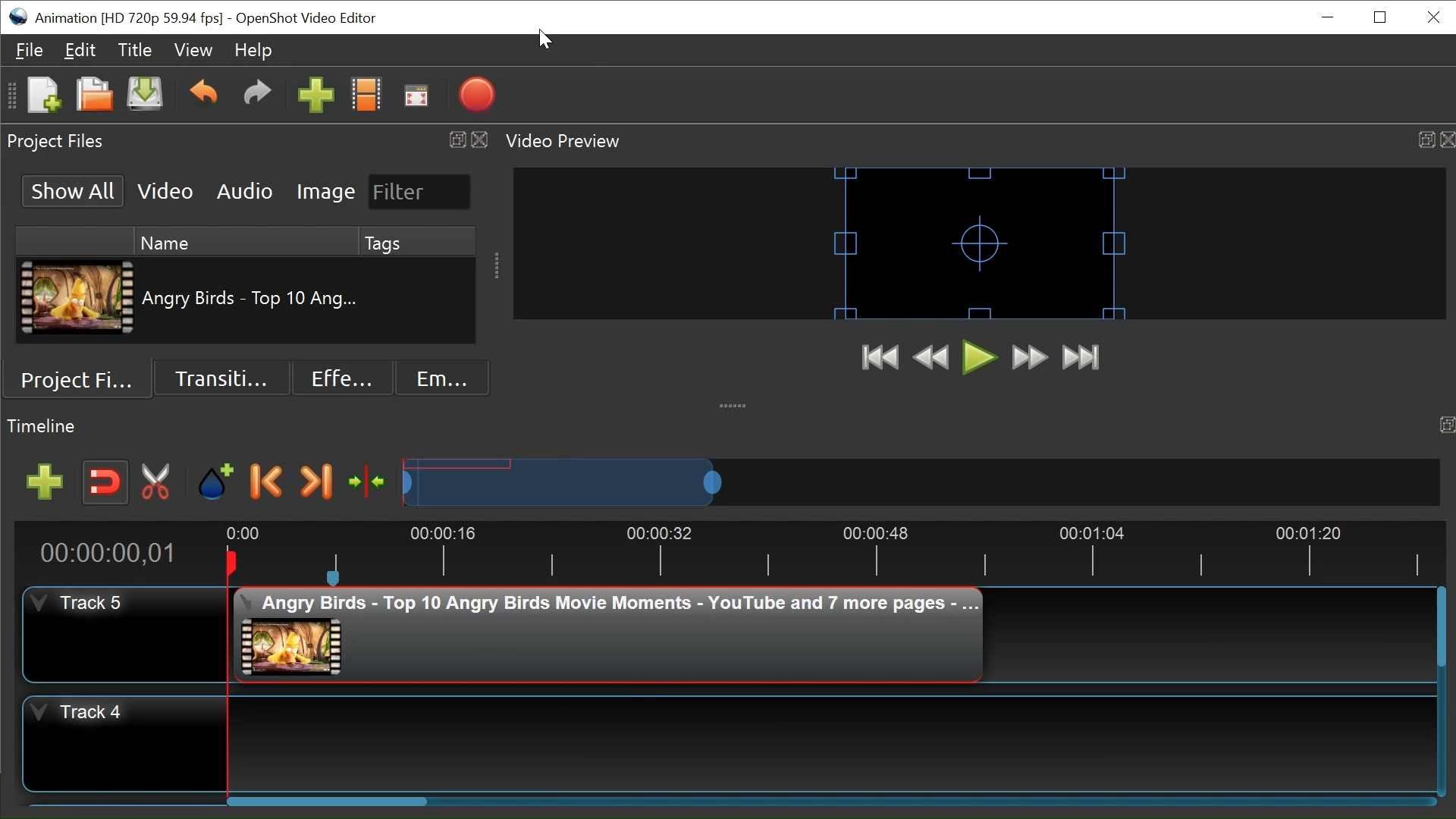 The width and height of the screenshot is (1456, 819). What do you see at coordinates (832, 554) in the screenshot?
I see `Timeline` at bounding box center [832, 554].